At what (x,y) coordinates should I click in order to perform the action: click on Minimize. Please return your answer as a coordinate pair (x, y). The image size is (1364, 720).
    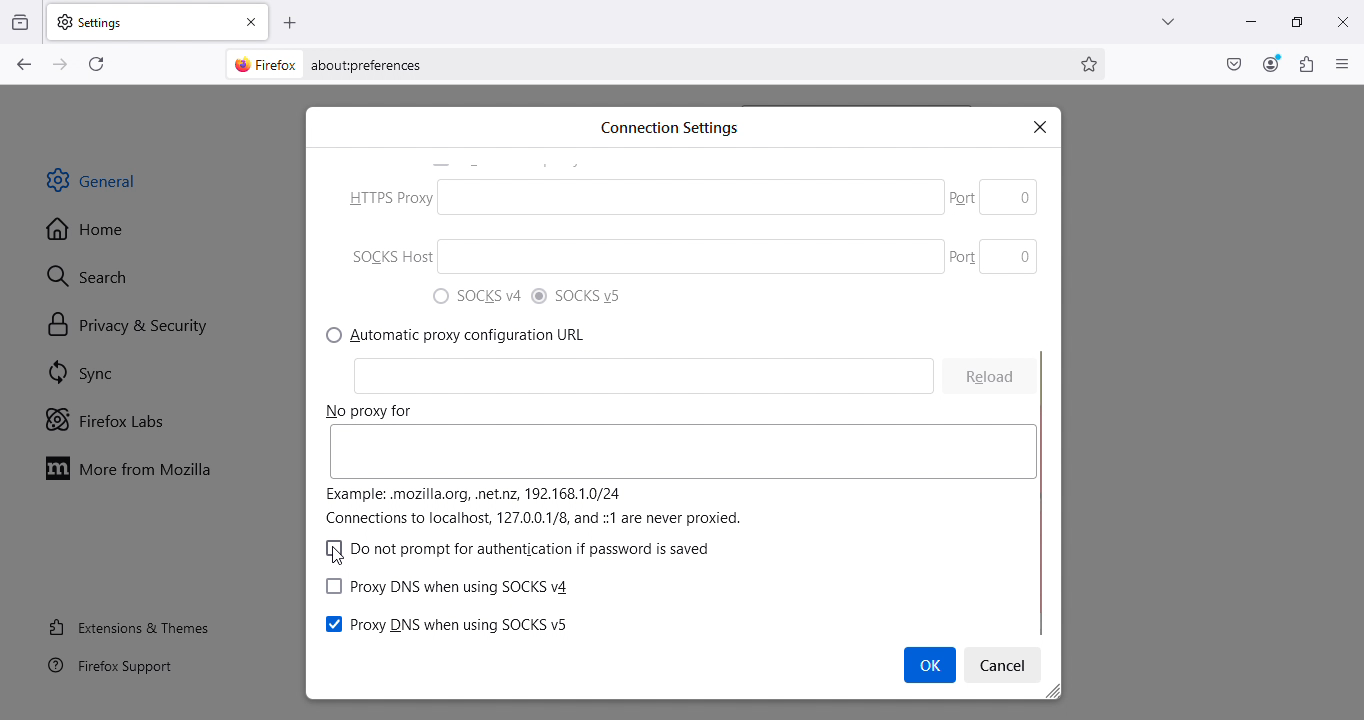
    Looking at the image, I should click on (1248, 21).